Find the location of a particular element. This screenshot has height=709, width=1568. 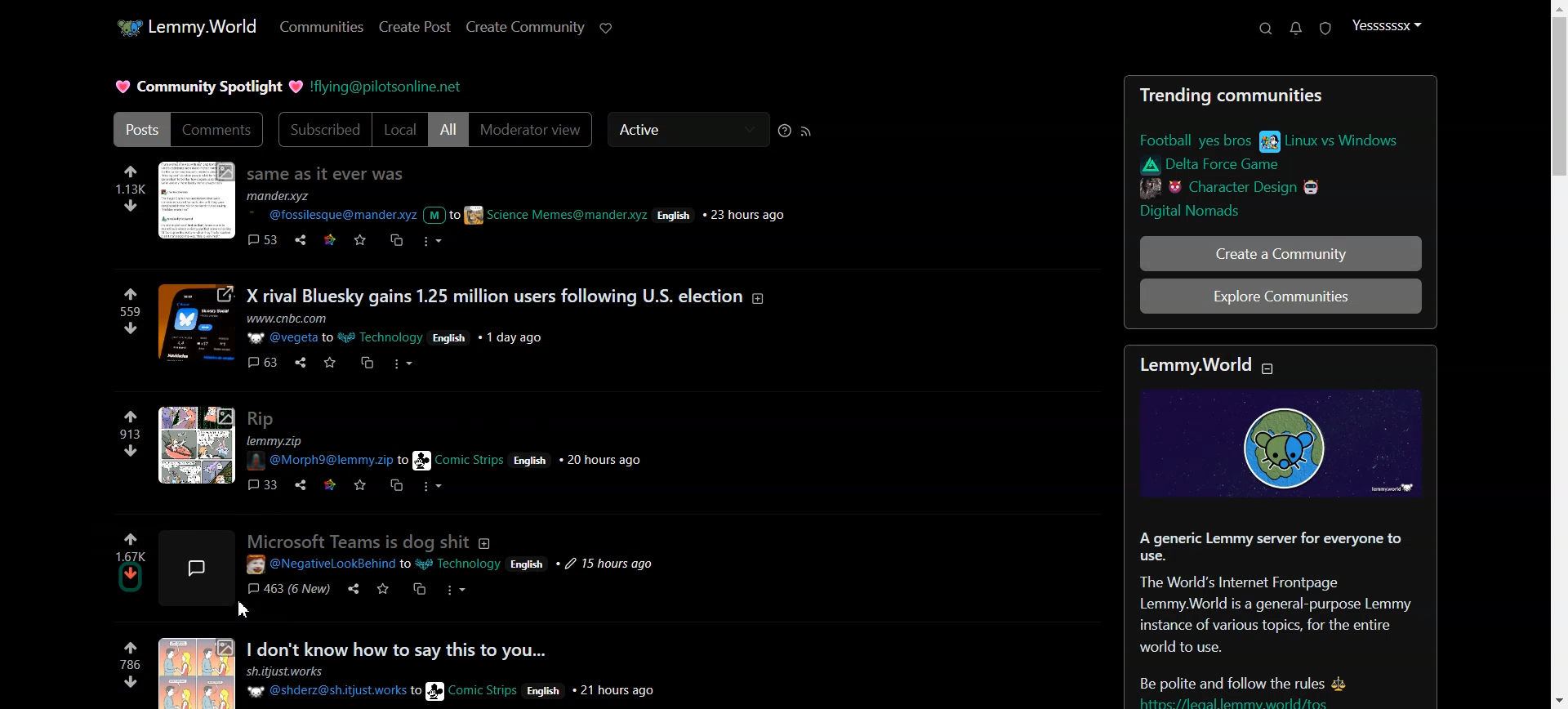

more is located at coordinates (431, 242).